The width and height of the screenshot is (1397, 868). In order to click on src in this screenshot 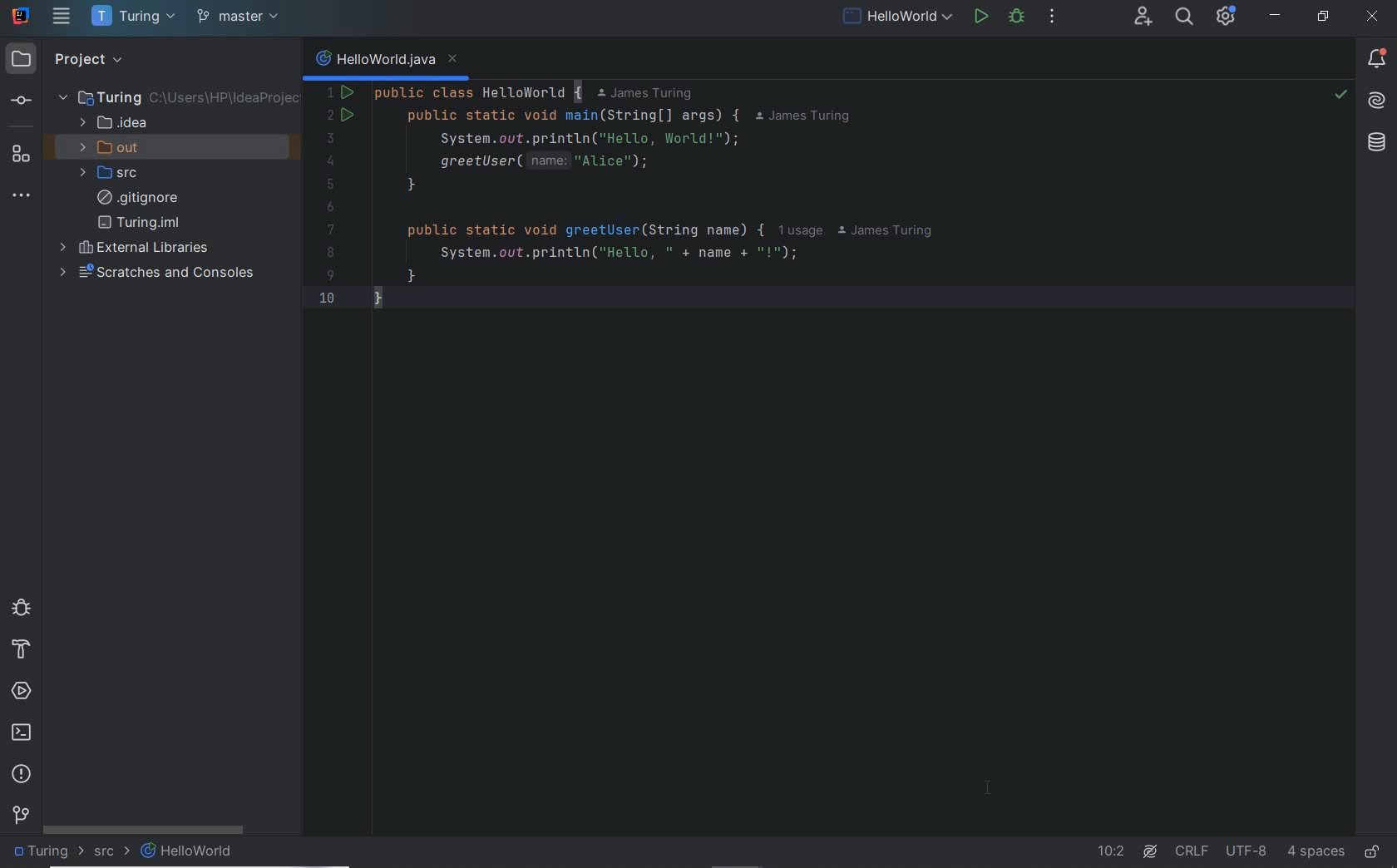, I will do `click(115, 173)`.